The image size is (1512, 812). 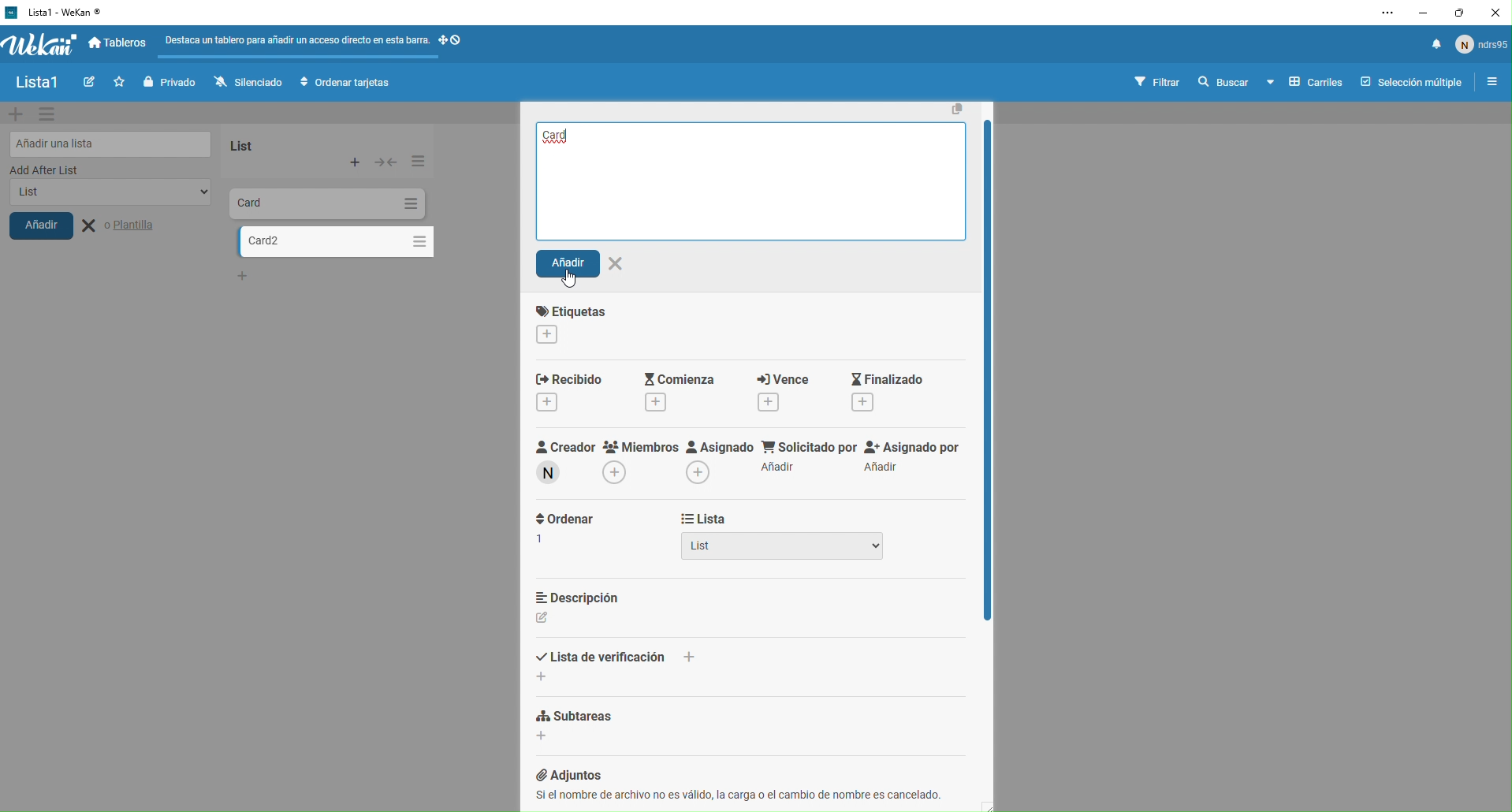 What do you see at coordinates (1407, 82) in the screenshot?
I see `seleccion multiple` at bounding box center [1407, 82].